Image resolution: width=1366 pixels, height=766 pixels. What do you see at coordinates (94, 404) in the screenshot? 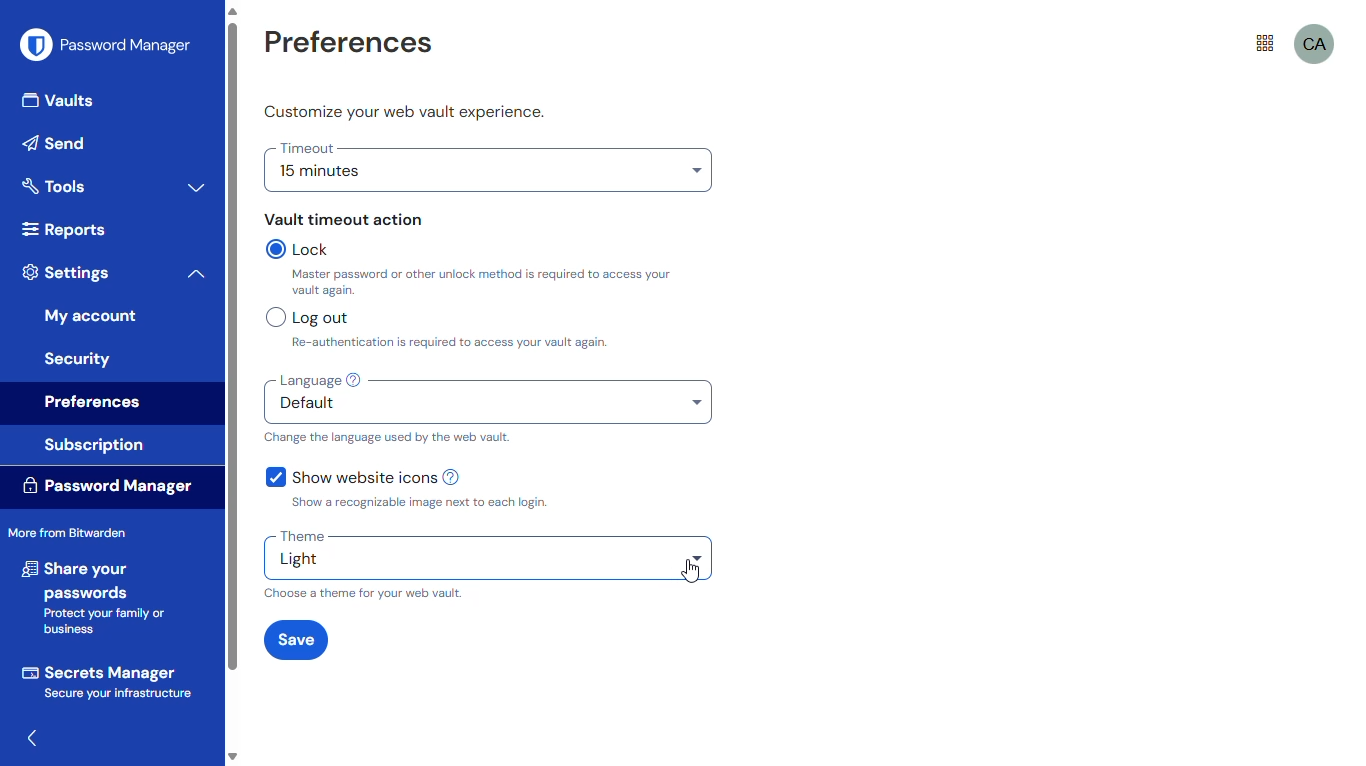
I see `preferences` at bounding box center [94, 404].